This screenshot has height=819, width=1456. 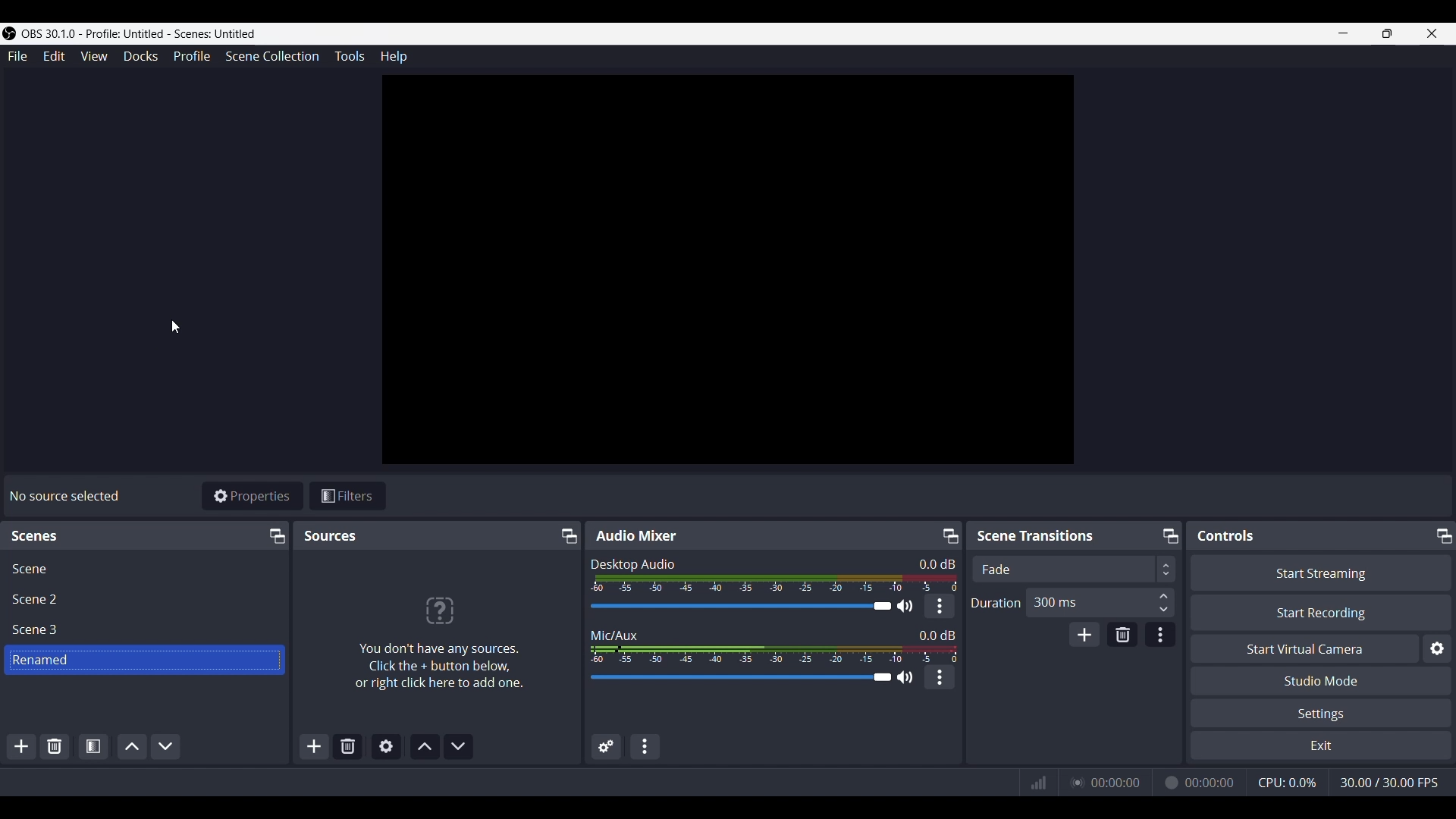 What do you see at coordinates (996, 604) in the screenshot?
I see `Duration` at bounding box center [996, 604].